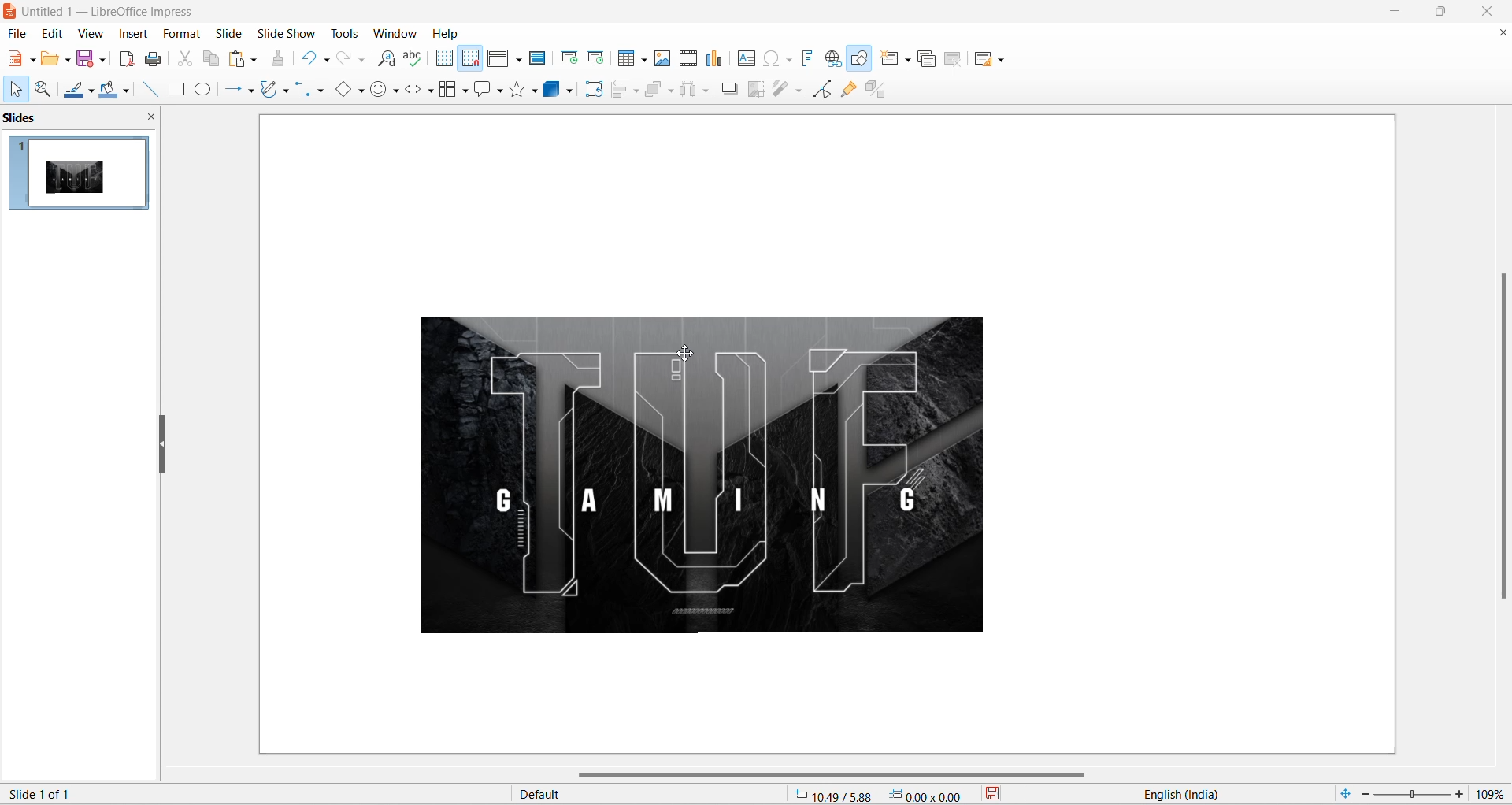 The image size is (1512, 805). I want to click on show gluepoint functions, so click(848, 89).